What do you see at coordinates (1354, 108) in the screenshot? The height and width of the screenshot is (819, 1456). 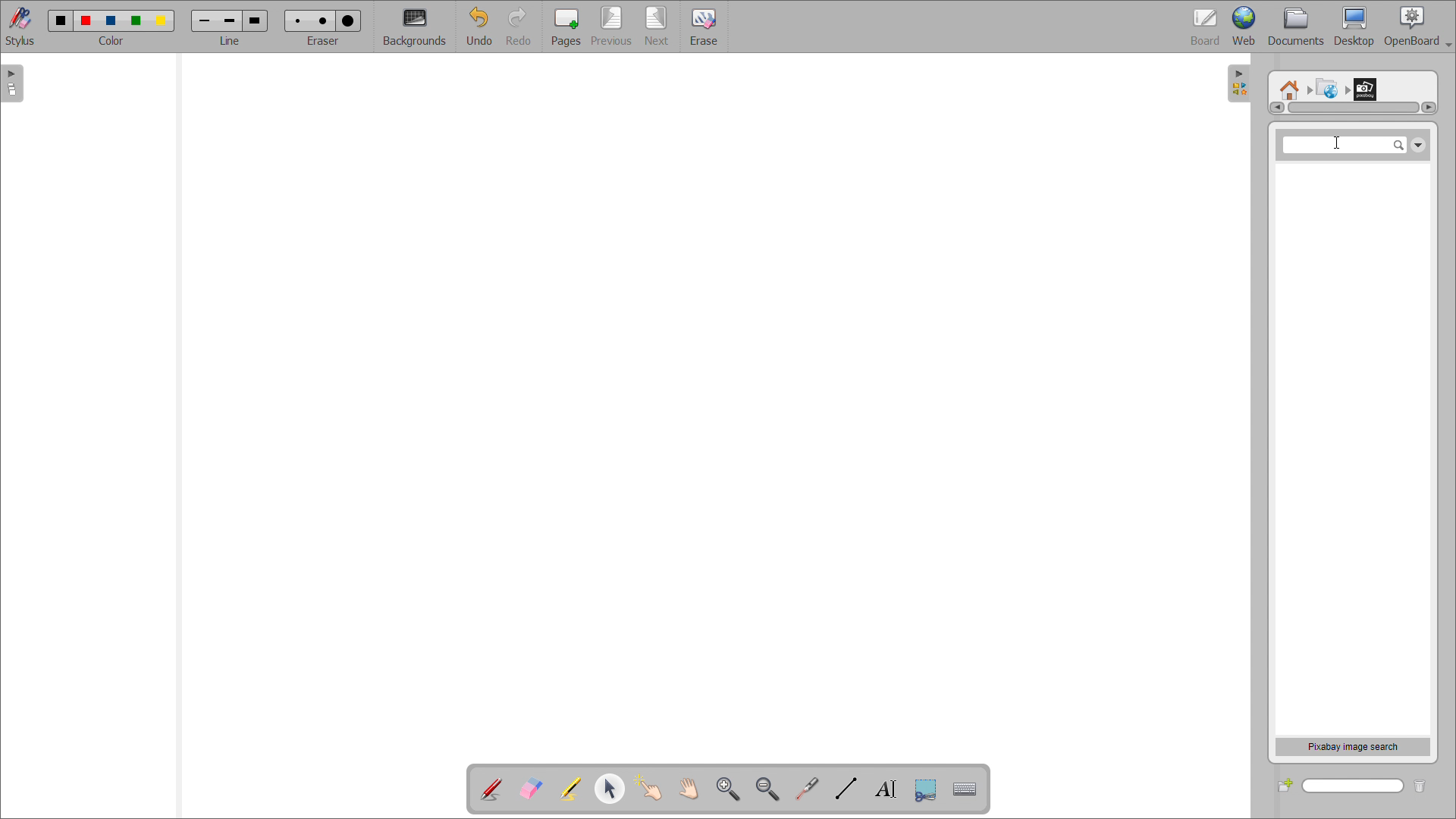 I see `scrollbar` at bounding box center [1354, 108].